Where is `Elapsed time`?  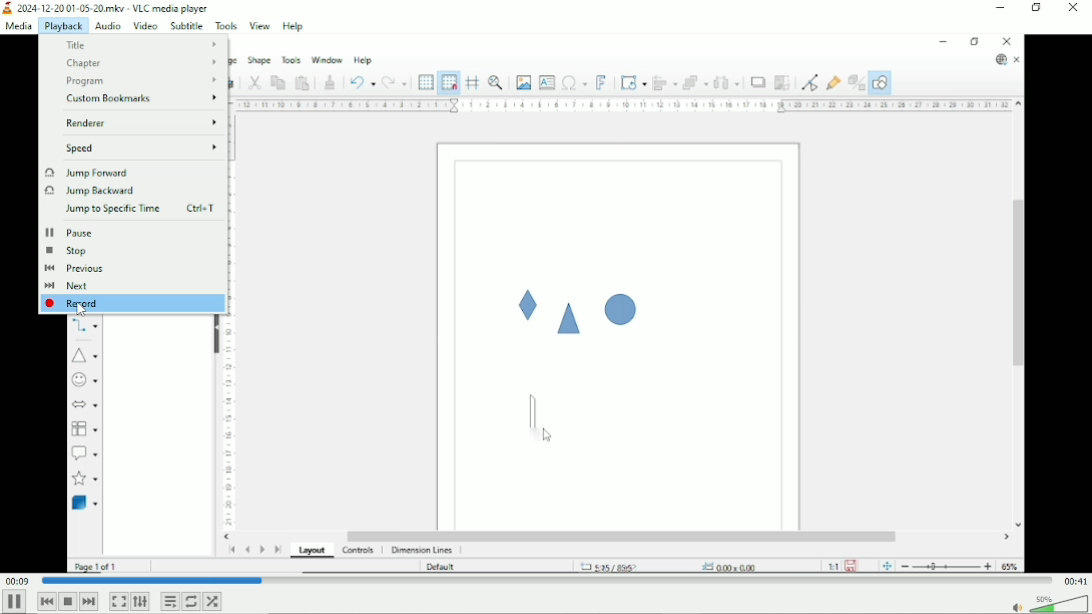
Elapsed time is located at coordinates (17, 580).